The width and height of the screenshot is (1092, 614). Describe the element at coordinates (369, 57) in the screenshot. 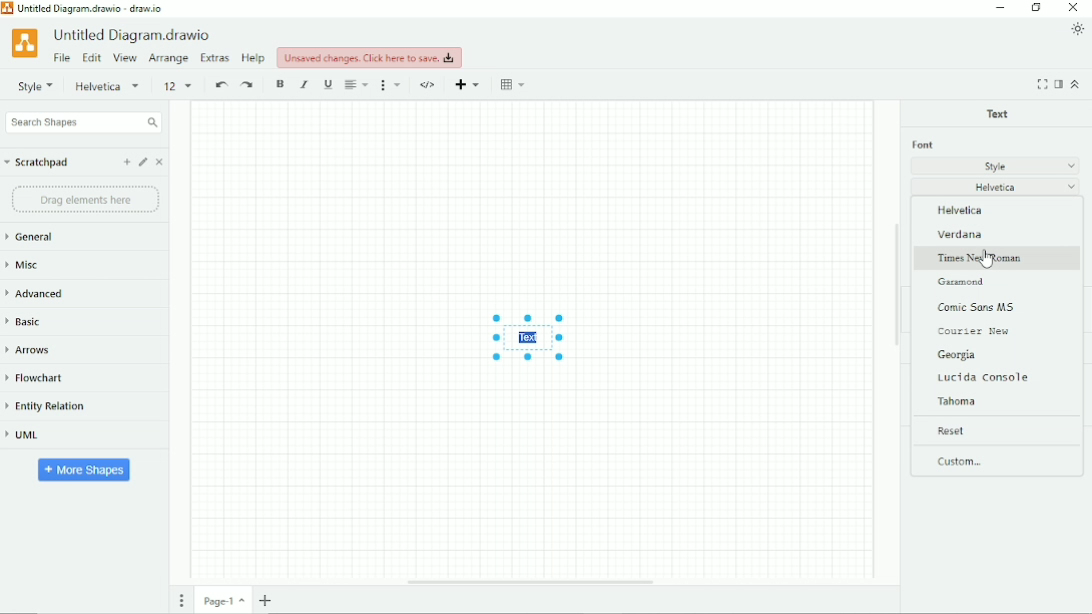

I see `Unsaved changes. Click here to save.  ` at that location.